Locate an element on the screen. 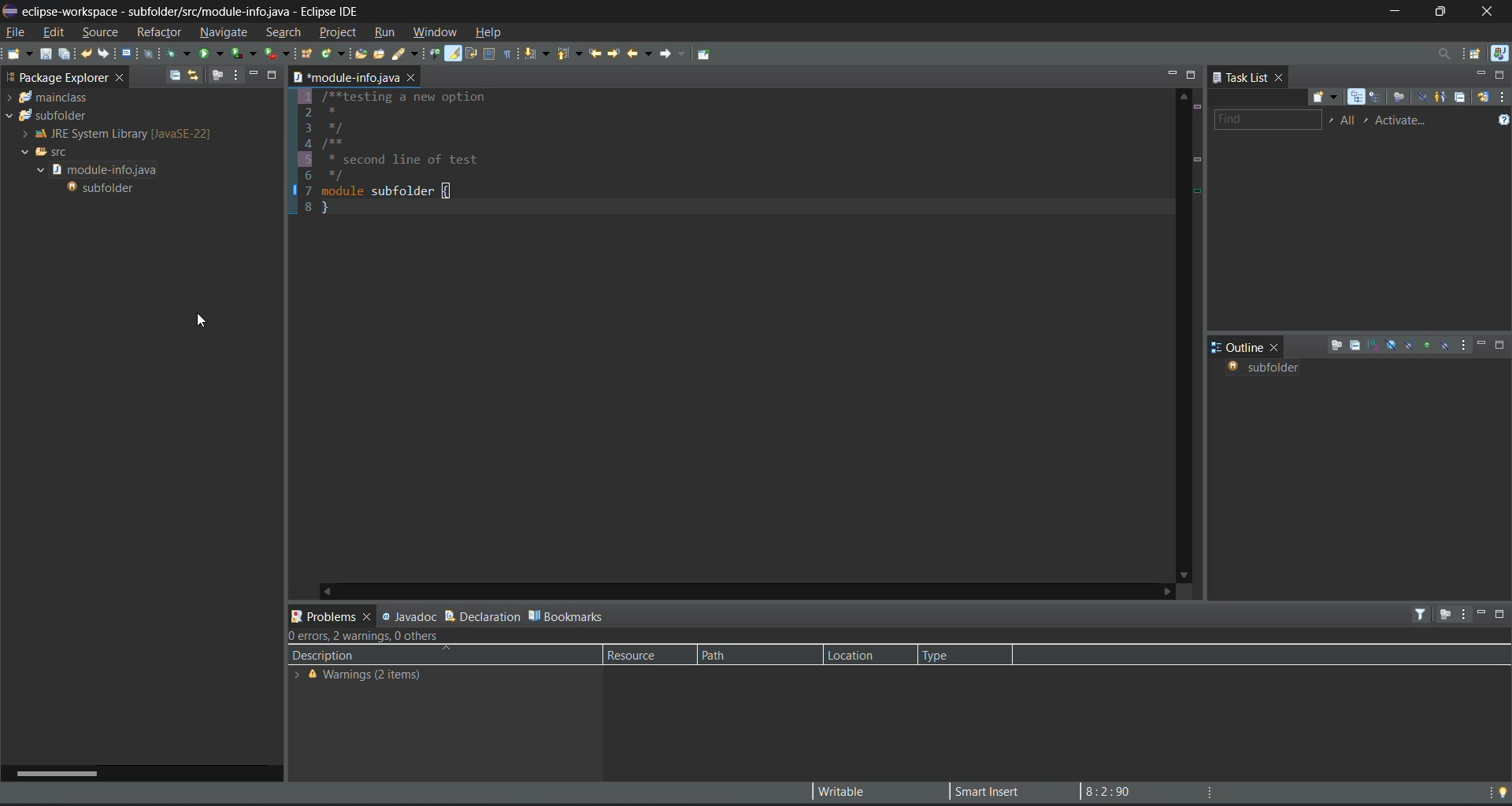  project is located at coordinates (338, 31).